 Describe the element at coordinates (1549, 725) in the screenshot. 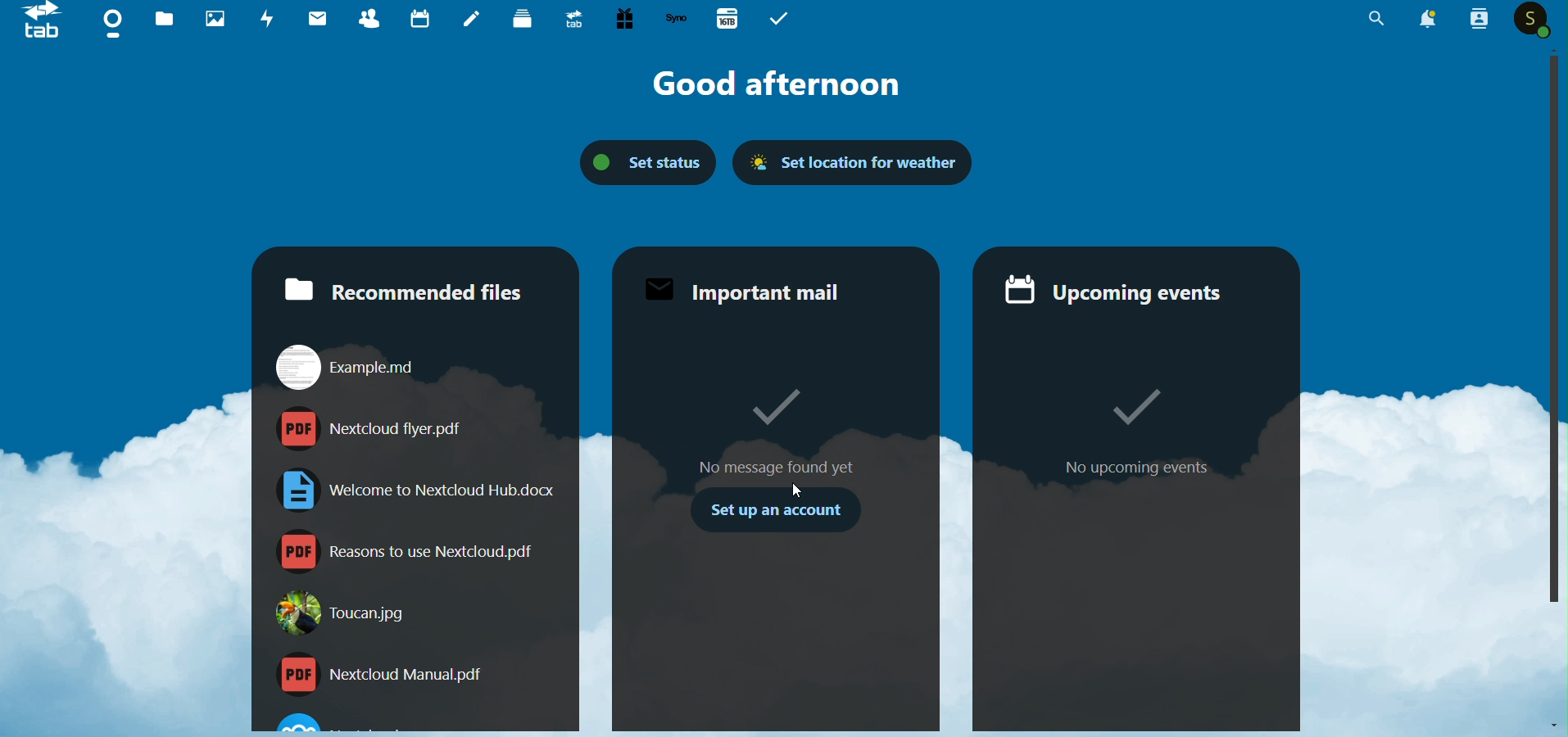

I see `Scroll down arrow` at that location.